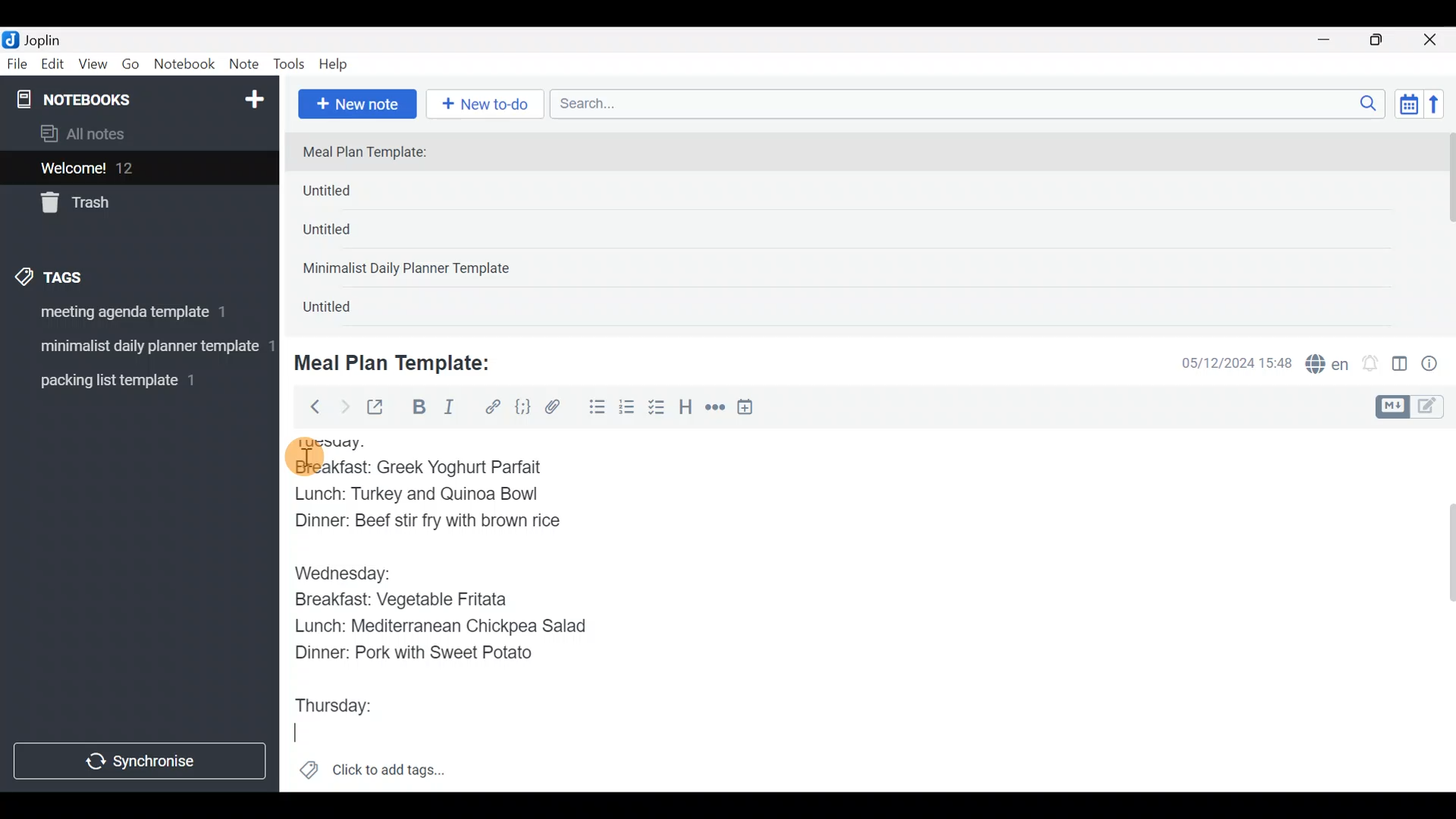 The image size is (1456, 819). Describe the element at coordinates (1446, 229) in the screenshot. I see `scroll bar` at that location.